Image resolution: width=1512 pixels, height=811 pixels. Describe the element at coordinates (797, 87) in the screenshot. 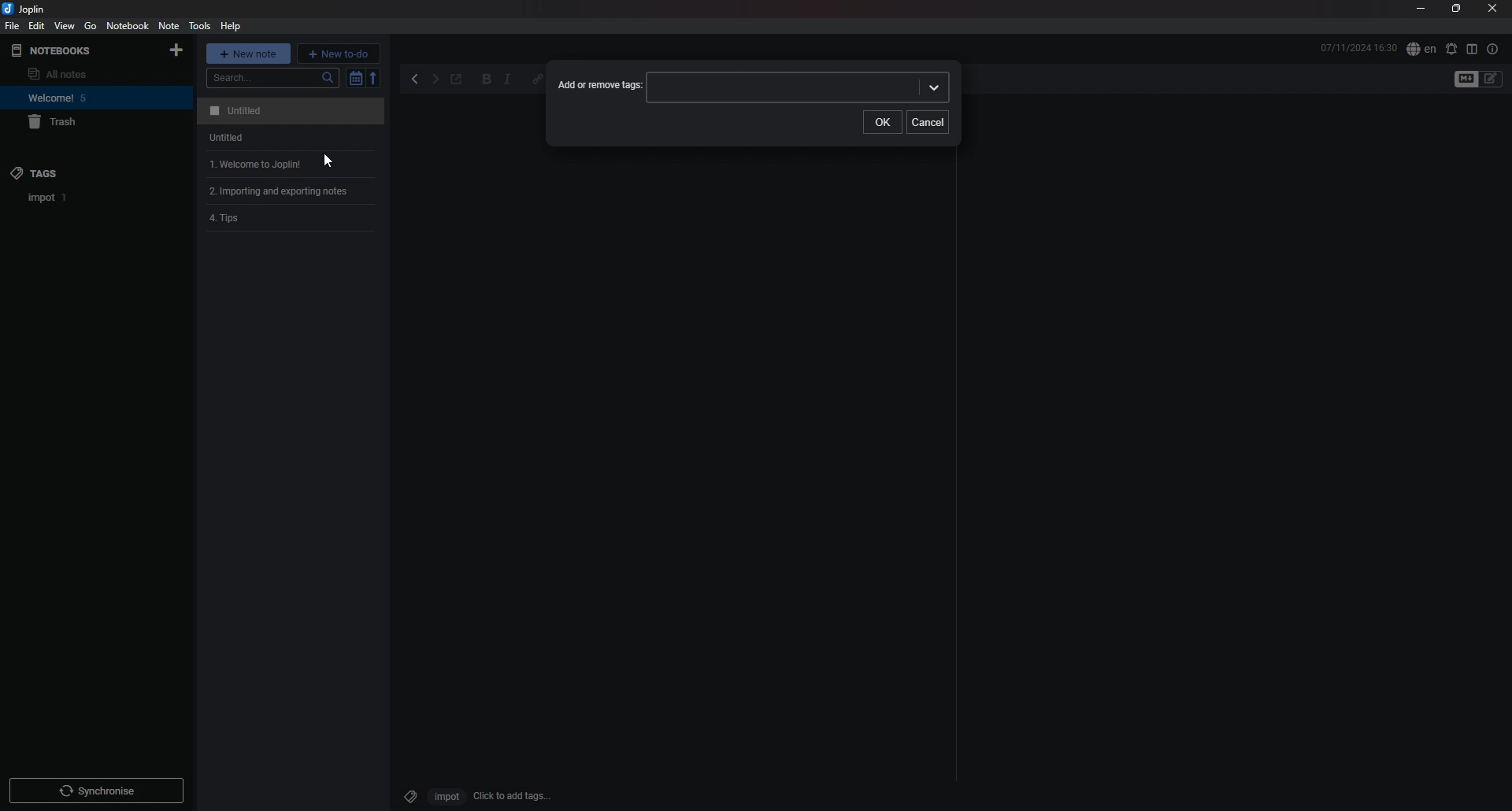

I see `input box` at that location.